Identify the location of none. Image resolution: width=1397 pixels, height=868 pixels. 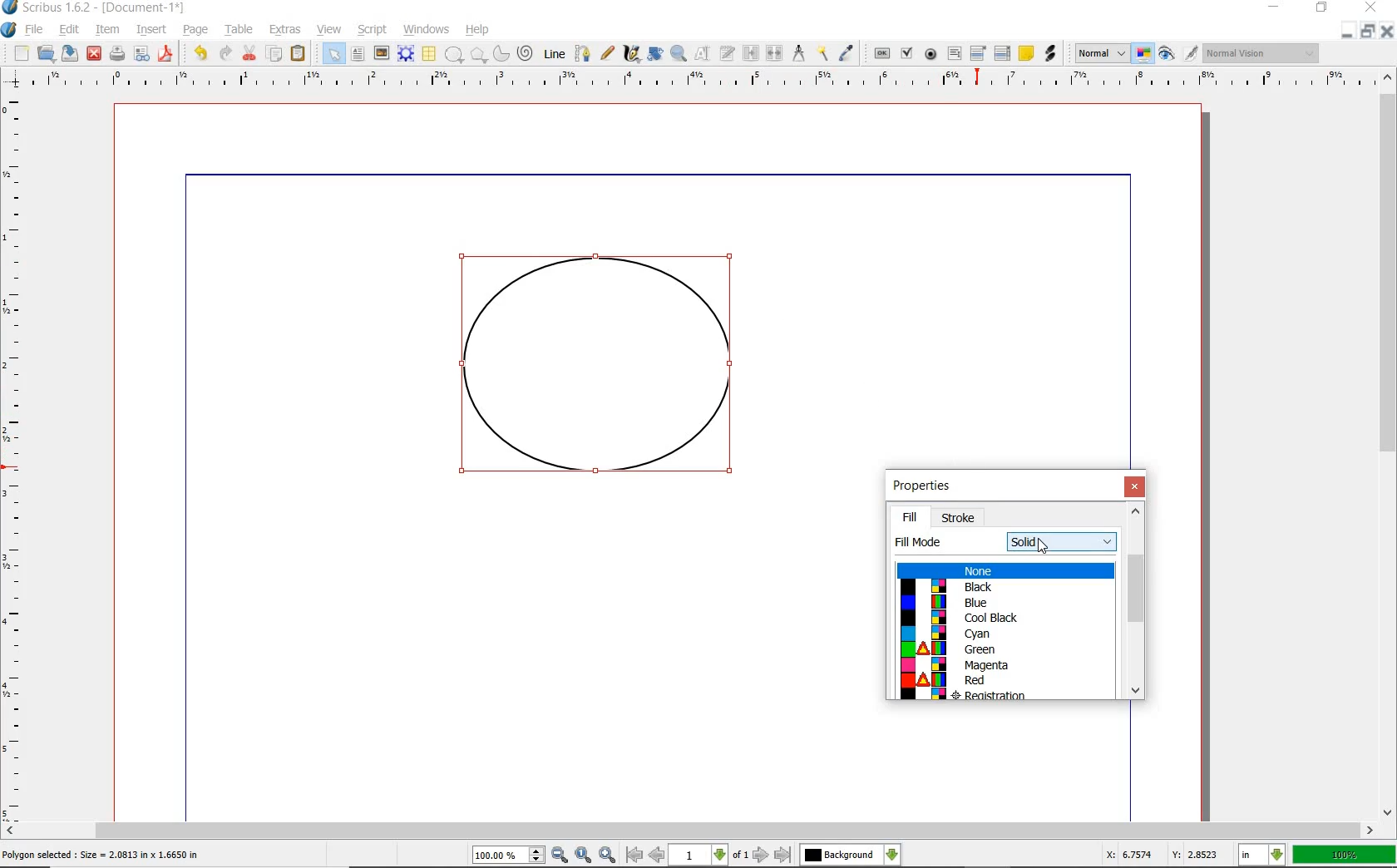
(1004, 570).